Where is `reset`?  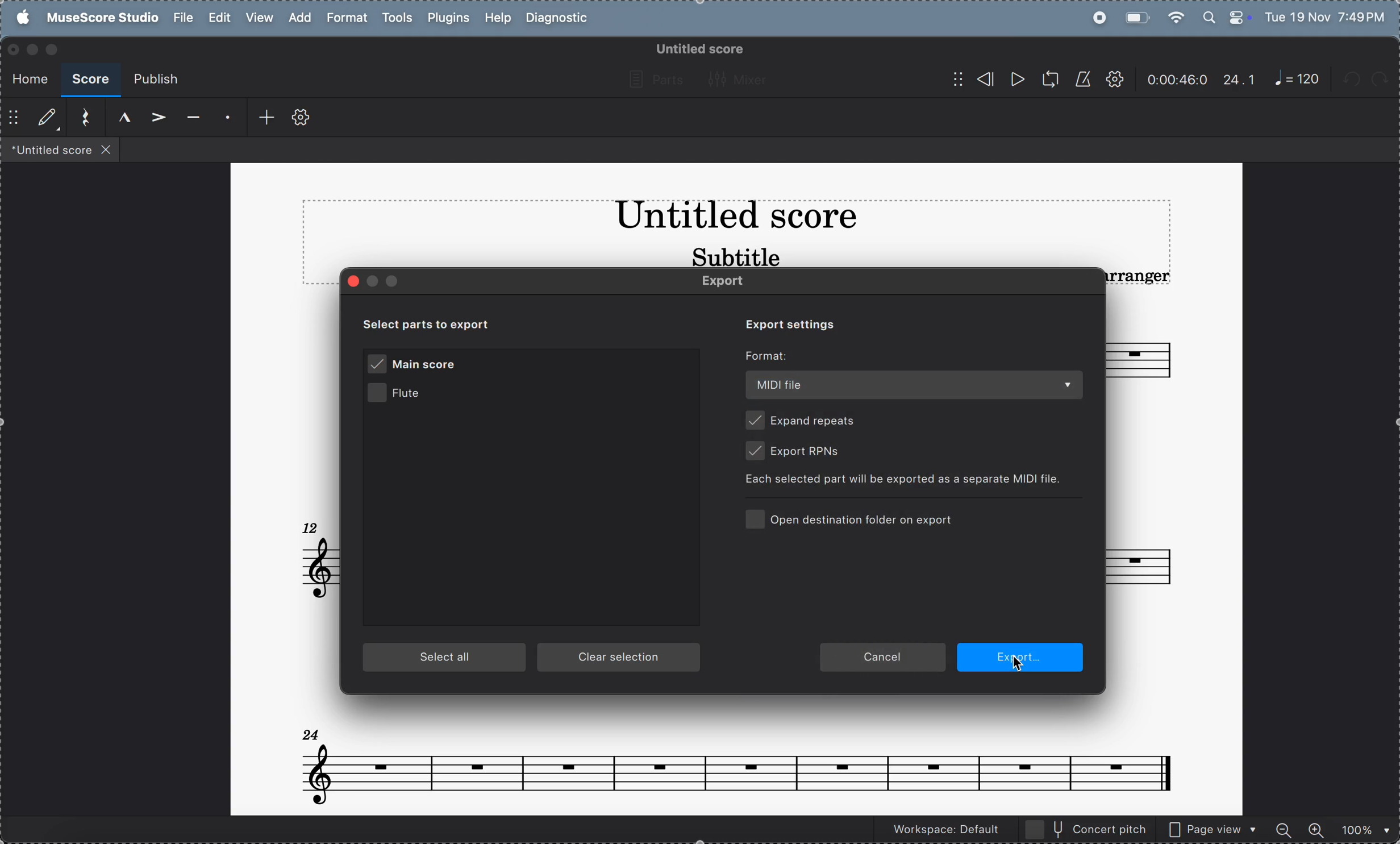
reset is located at coordinates (82, 118).